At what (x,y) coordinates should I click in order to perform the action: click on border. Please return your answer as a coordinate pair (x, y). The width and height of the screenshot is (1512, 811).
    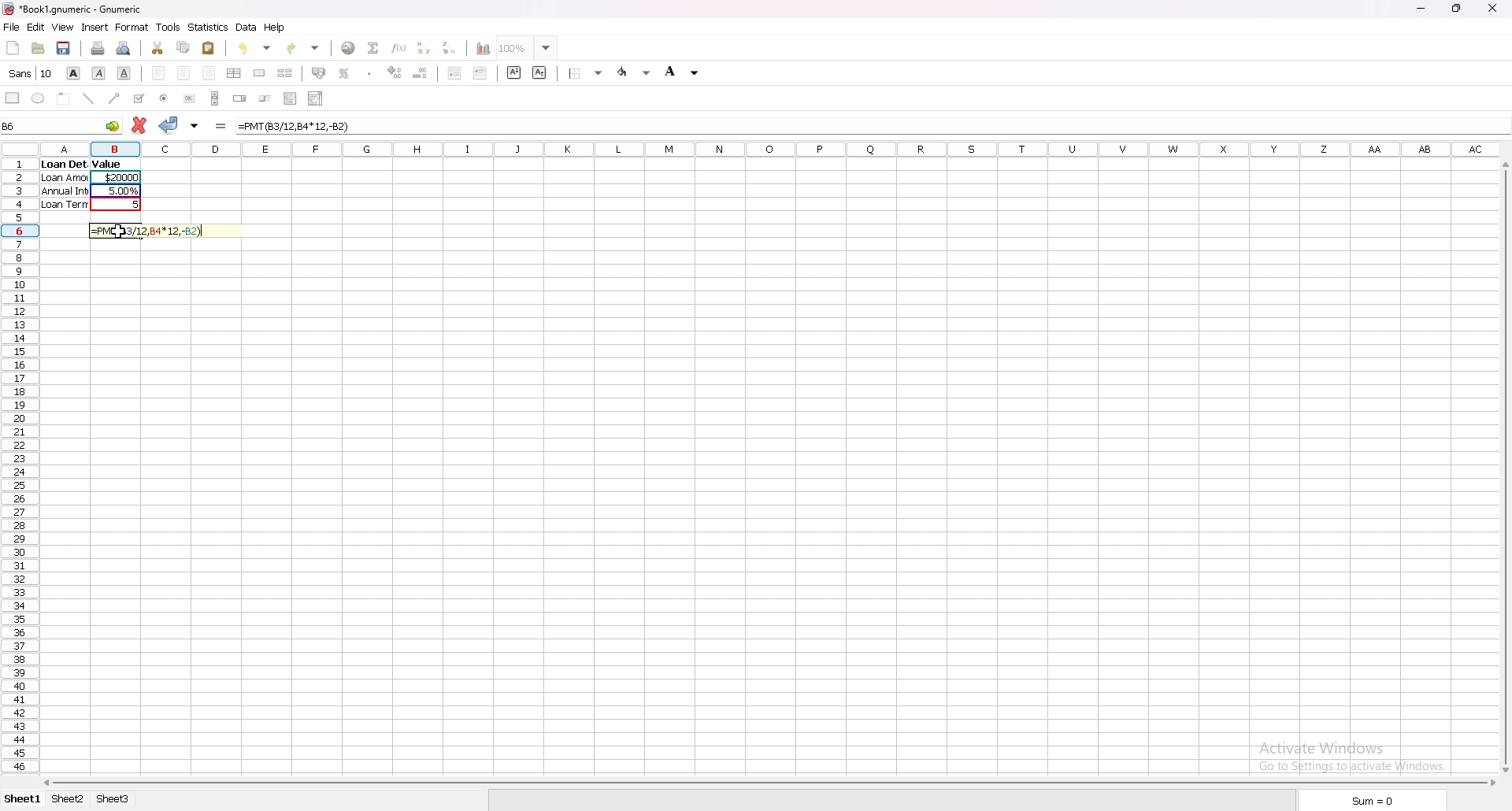
    Looking at the image, I should click on (586, 72).